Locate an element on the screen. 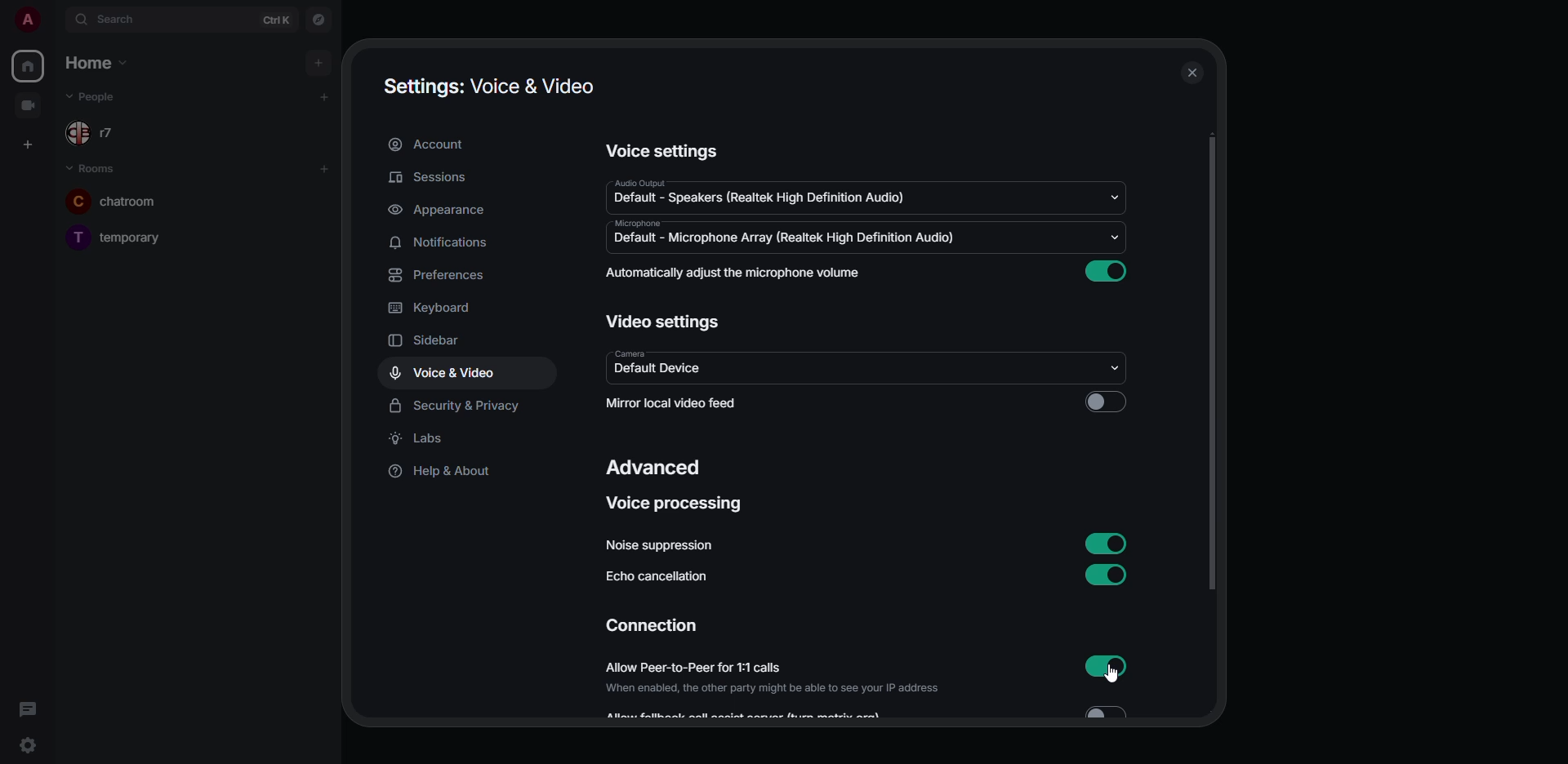 The height and width of the screenshot is (764, 1568). home is located at coordinates (93, 62).